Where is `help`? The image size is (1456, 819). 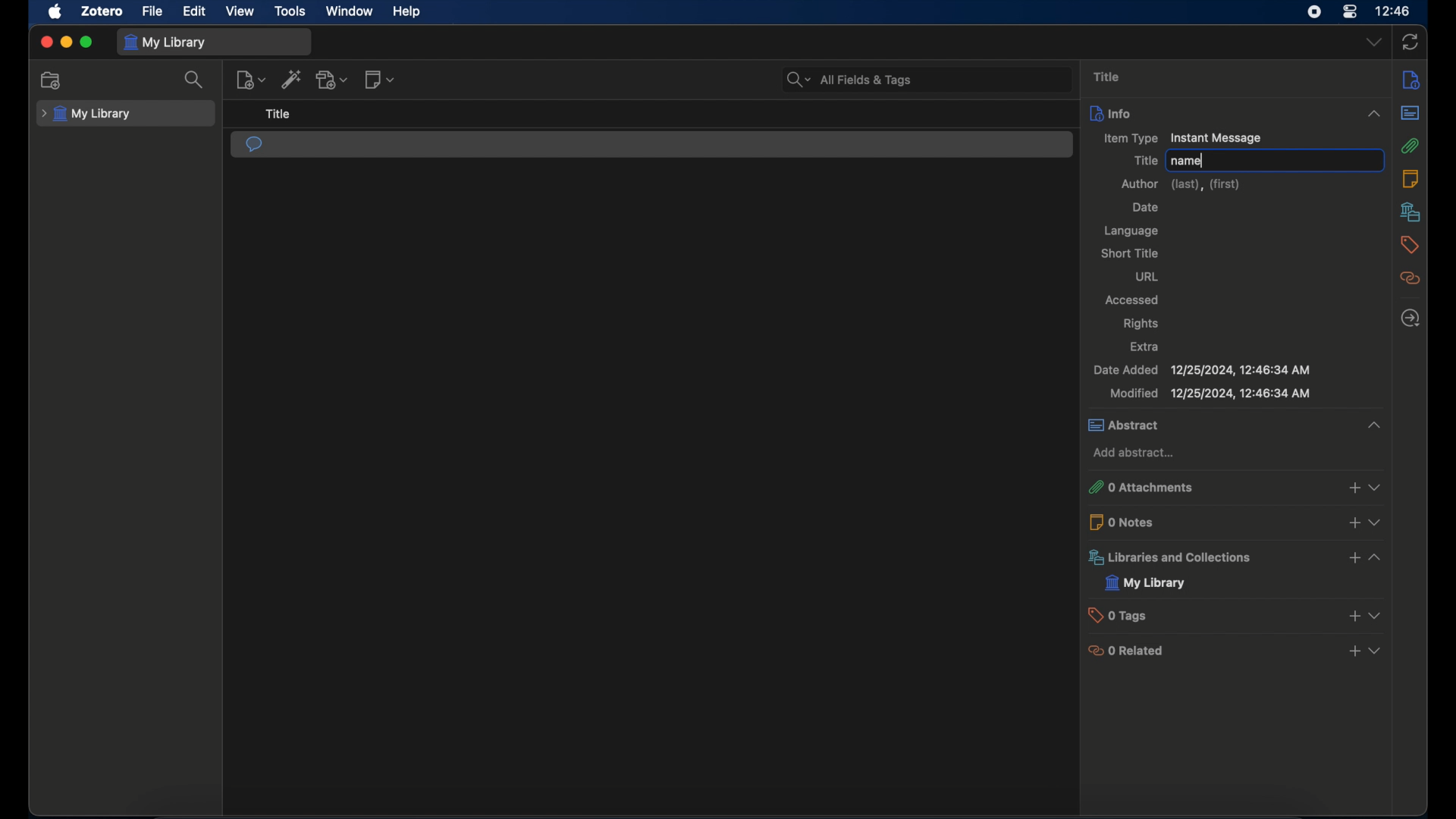
help is located at coordinates (408, 12).